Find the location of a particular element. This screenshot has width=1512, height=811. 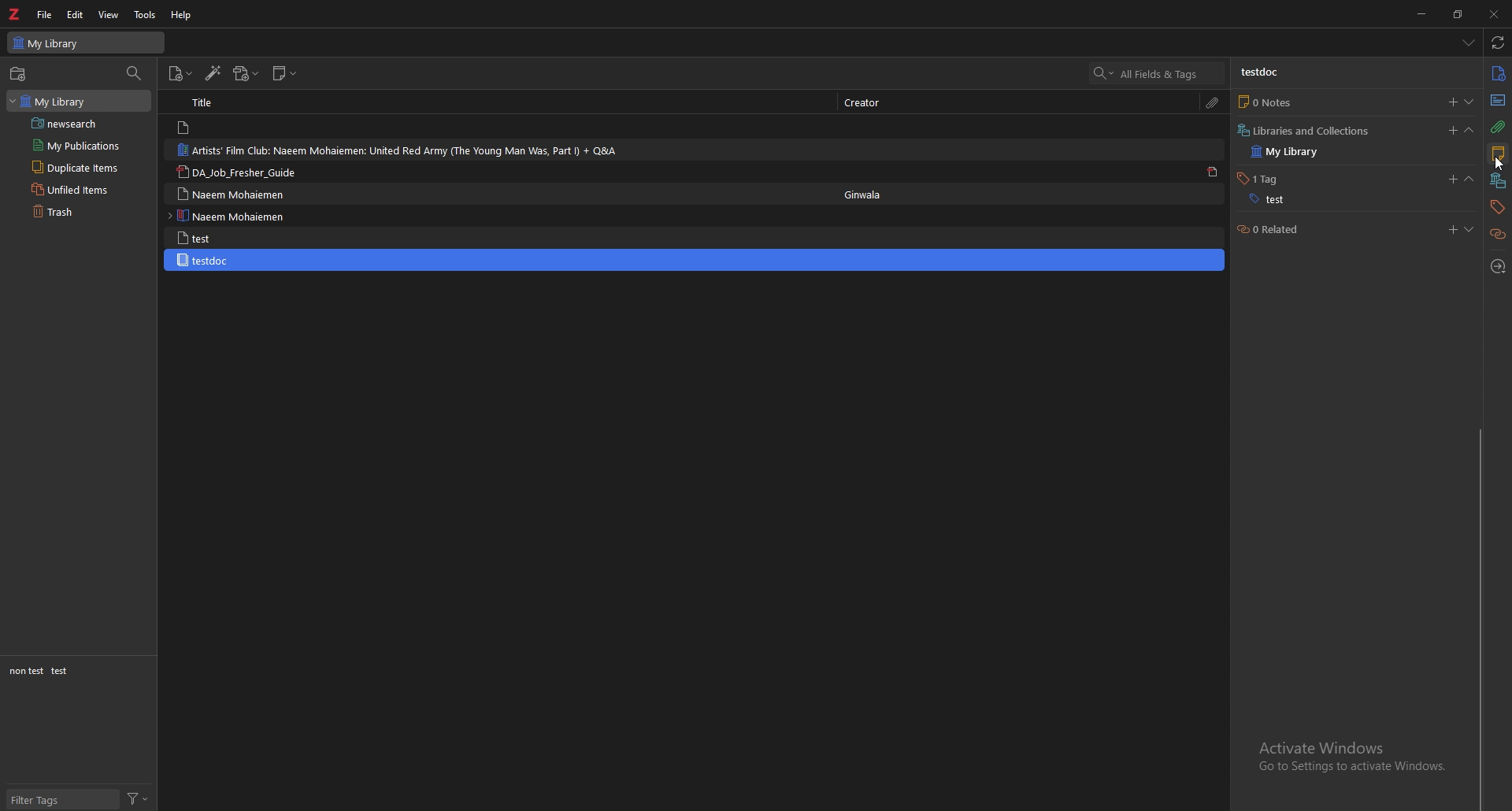

da_job_fresher_guide is located at coordinates (238, 172).